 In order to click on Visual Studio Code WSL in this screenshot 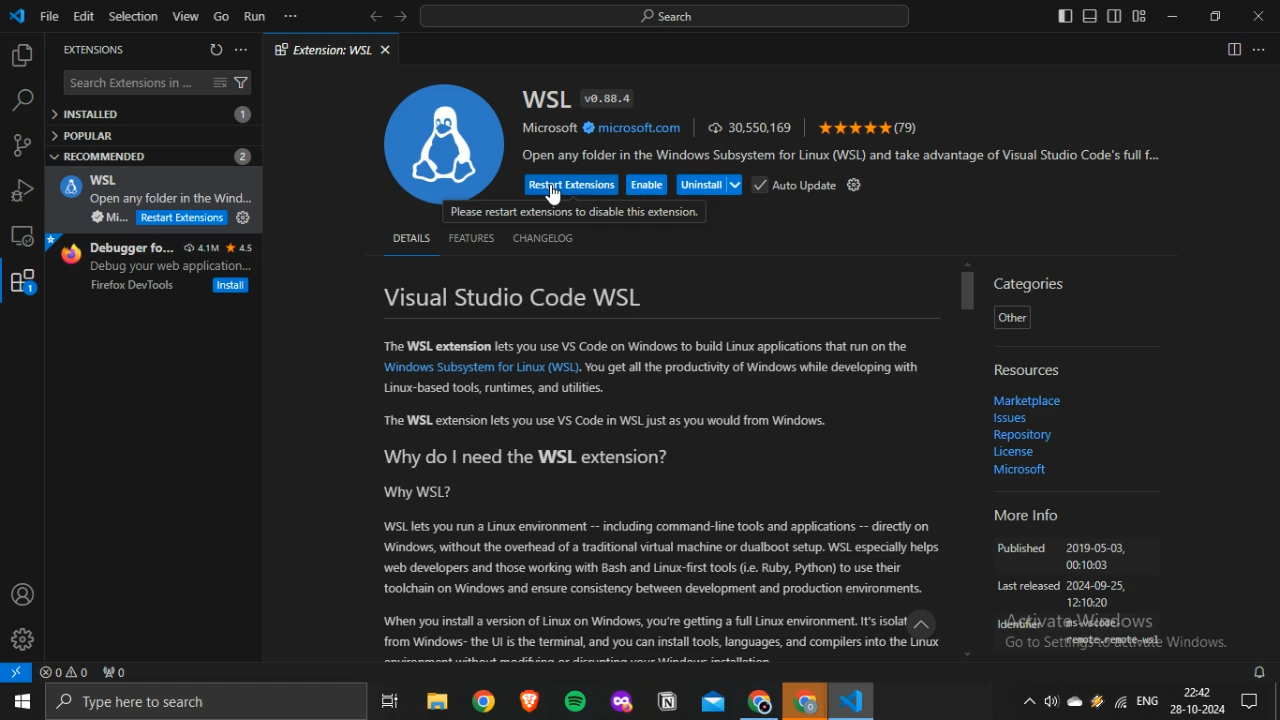, I will do `click(514, 297)`.